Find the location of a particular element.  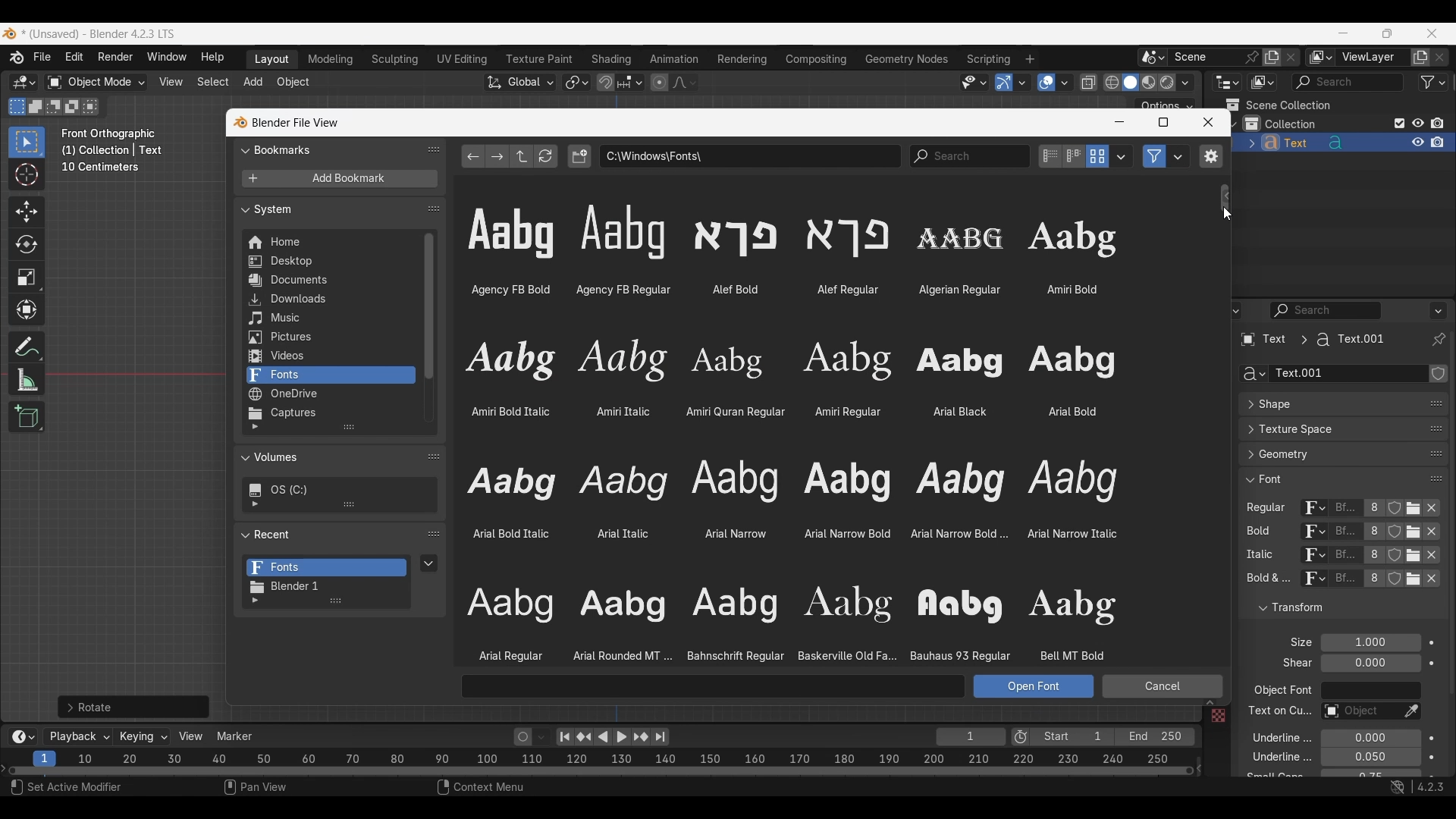

More about Blender is located at coordinates (17, 58).